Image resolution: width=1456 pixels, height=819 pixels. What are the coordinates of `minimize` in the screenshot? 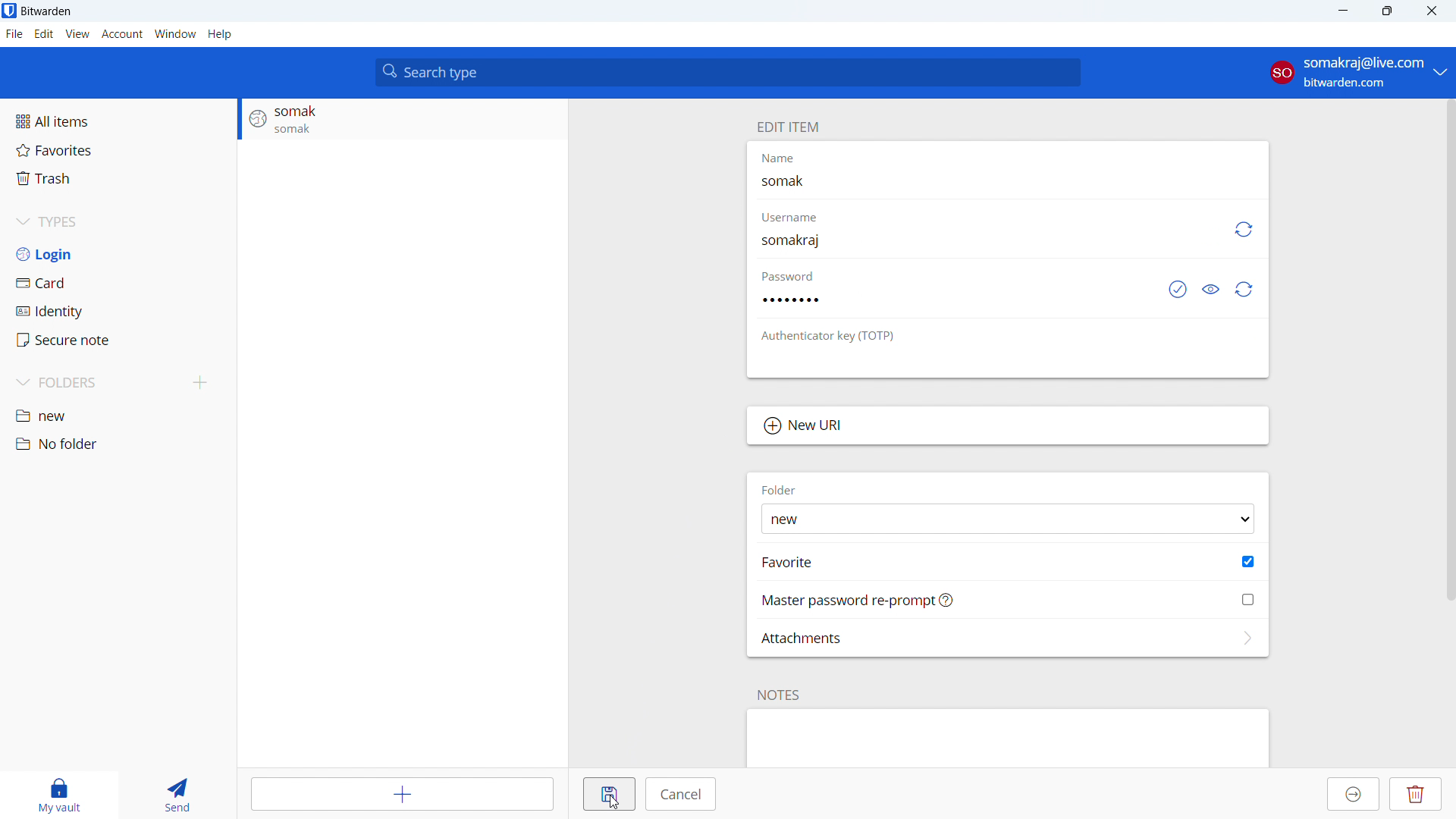 It's located at (1341, 11).